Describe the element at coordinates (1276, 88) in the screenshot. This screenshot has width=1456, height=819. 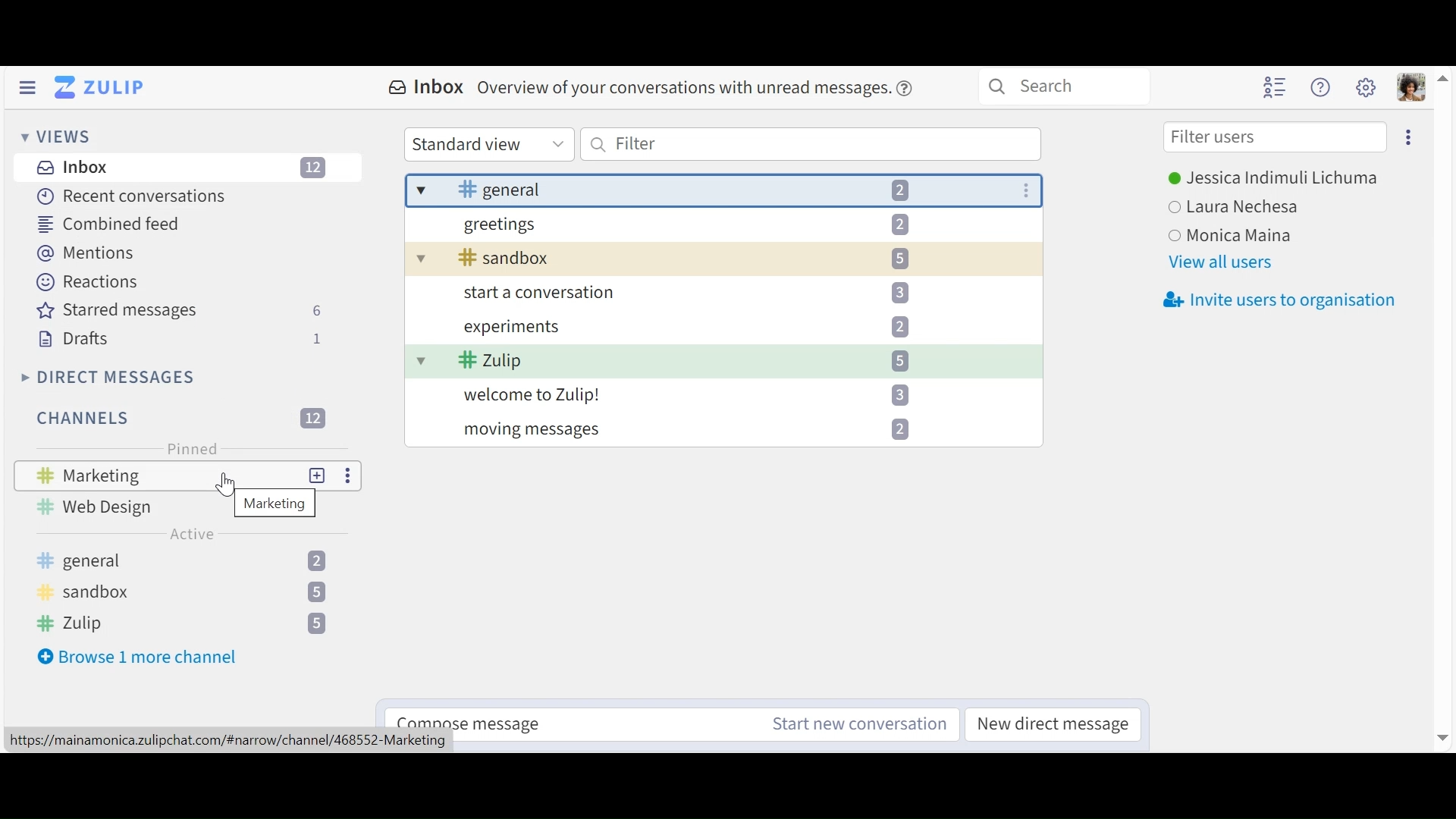
I see `Hide user list` at that location.